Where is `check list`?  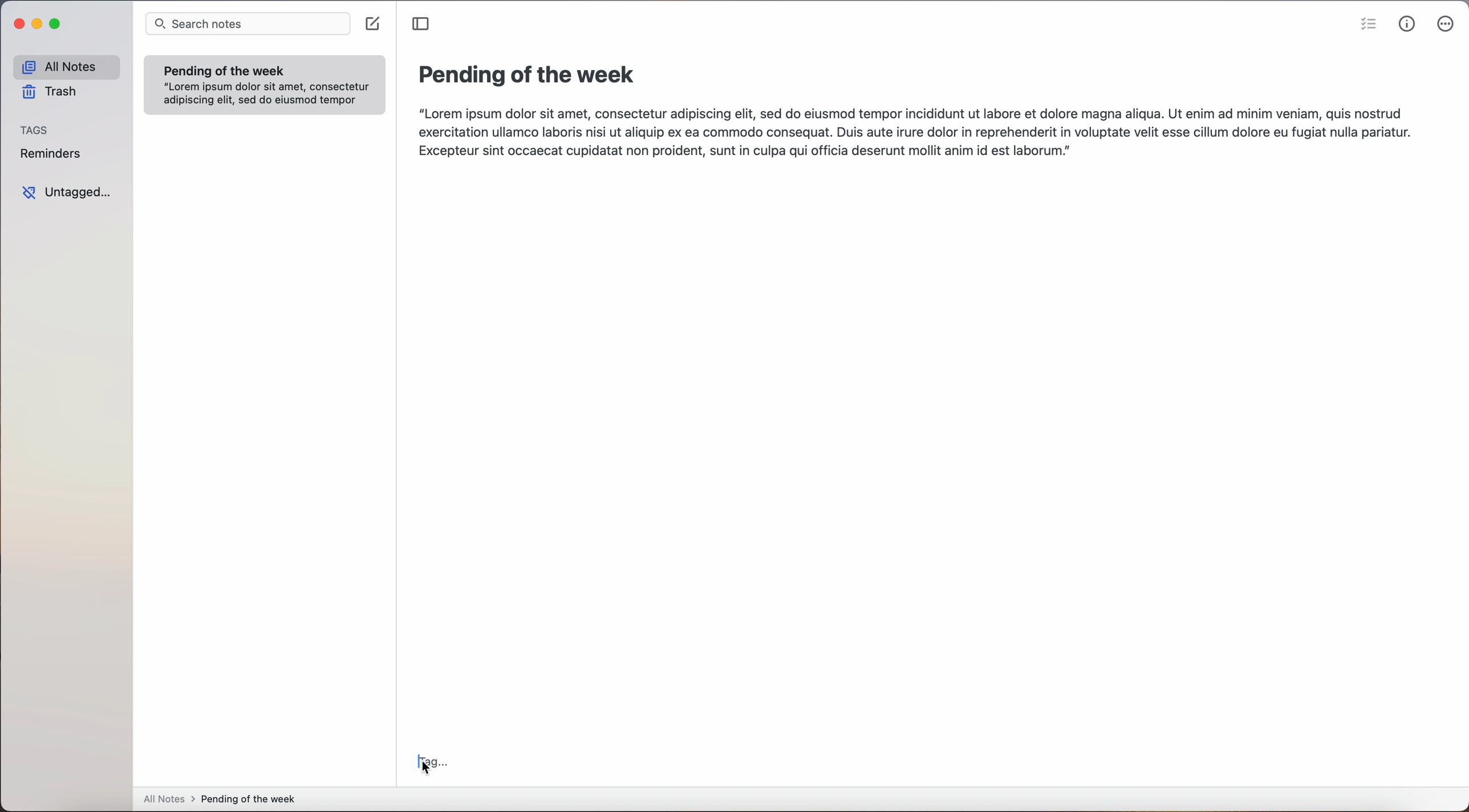 check list is located at coordinates (1365, 25).